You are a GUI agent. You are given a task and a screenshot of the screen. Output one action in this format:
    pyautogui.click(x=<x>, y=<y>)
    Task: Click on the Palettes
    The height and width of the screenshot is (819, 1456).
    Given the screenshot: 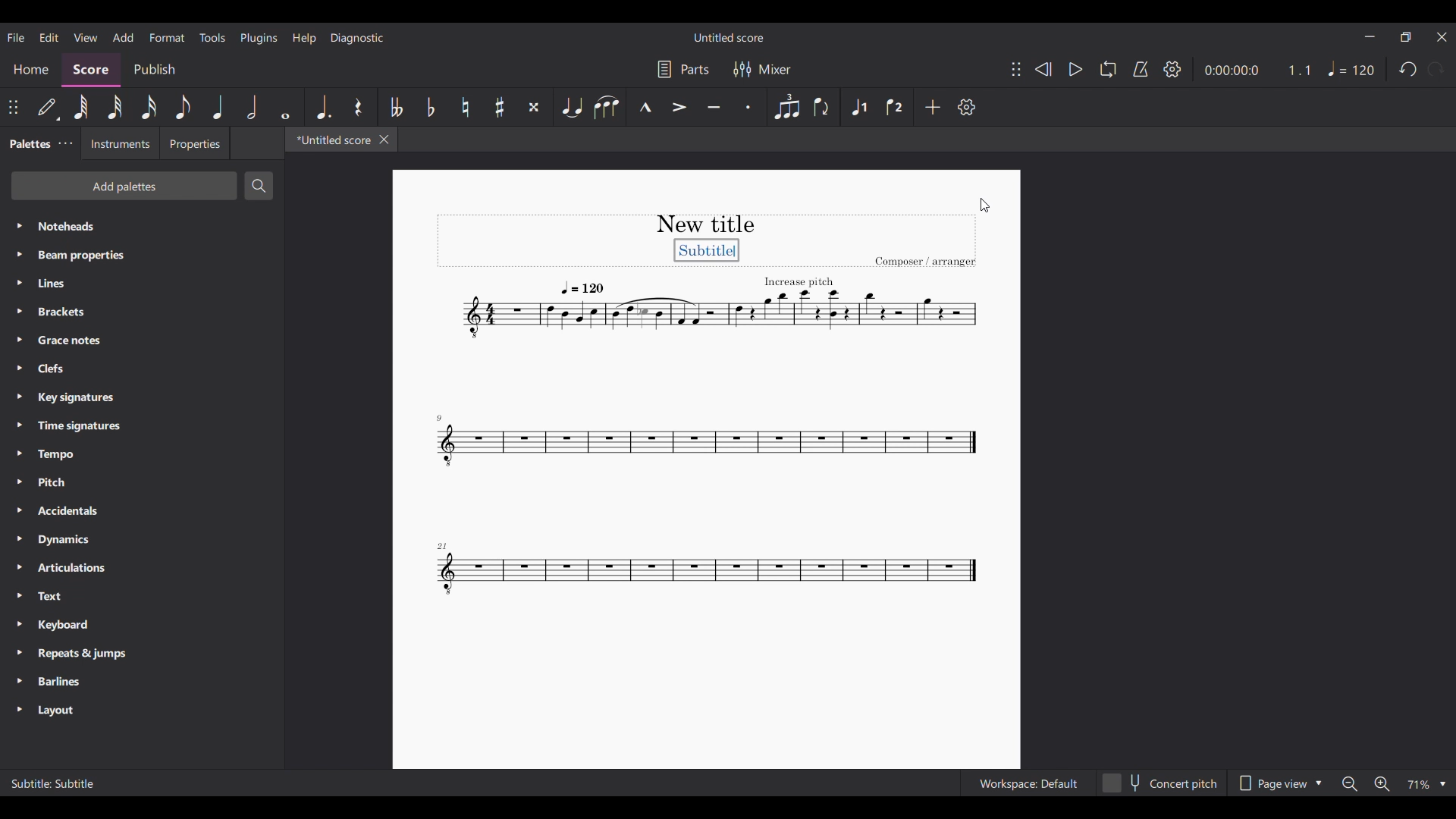 What is the action you would take?
    pyautogui.click(x=27, y=145)
    